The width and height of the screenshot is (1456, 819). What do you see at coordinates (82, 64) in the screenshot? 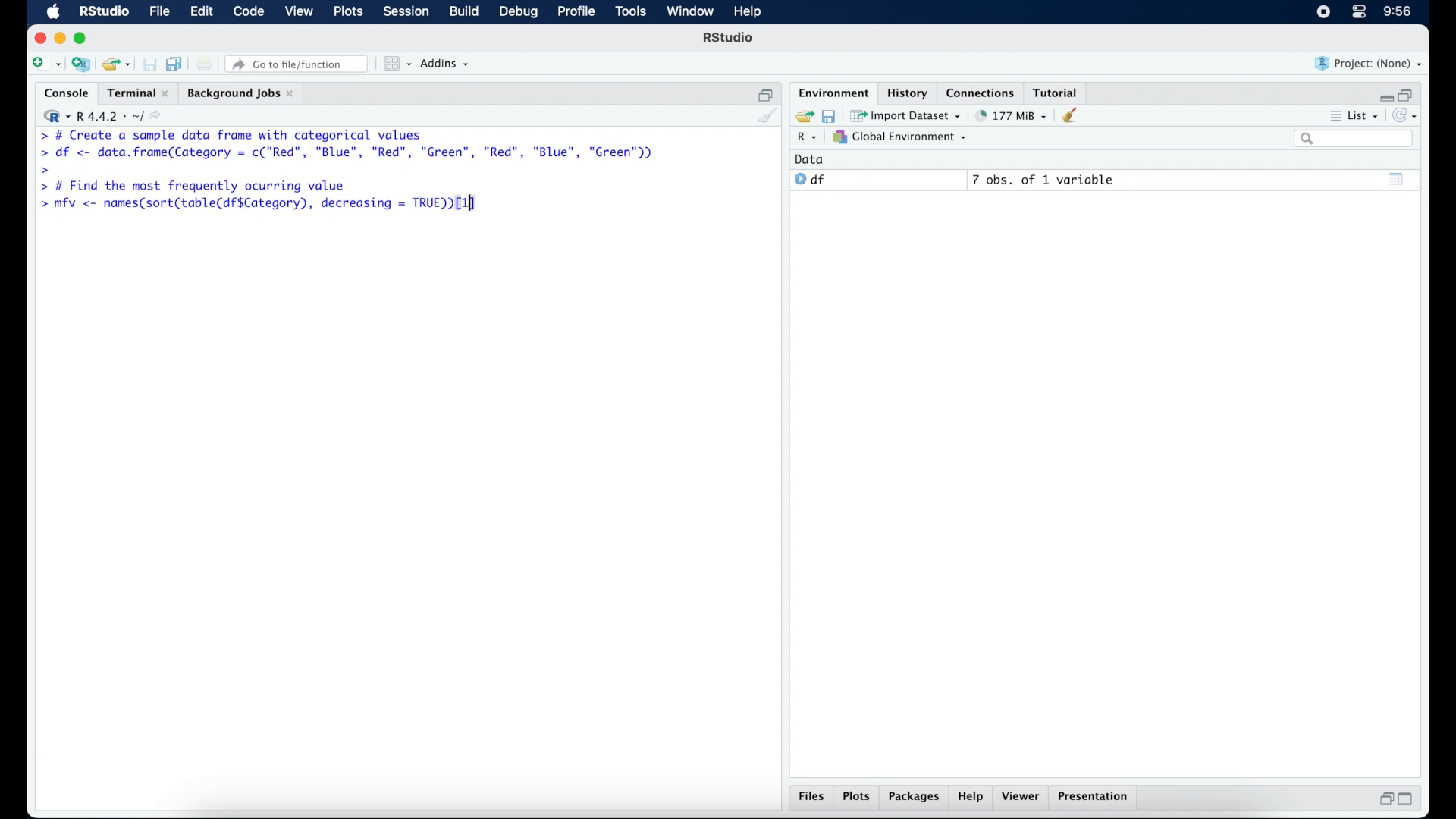
I see `create a project` at bounding box center [82, 64].